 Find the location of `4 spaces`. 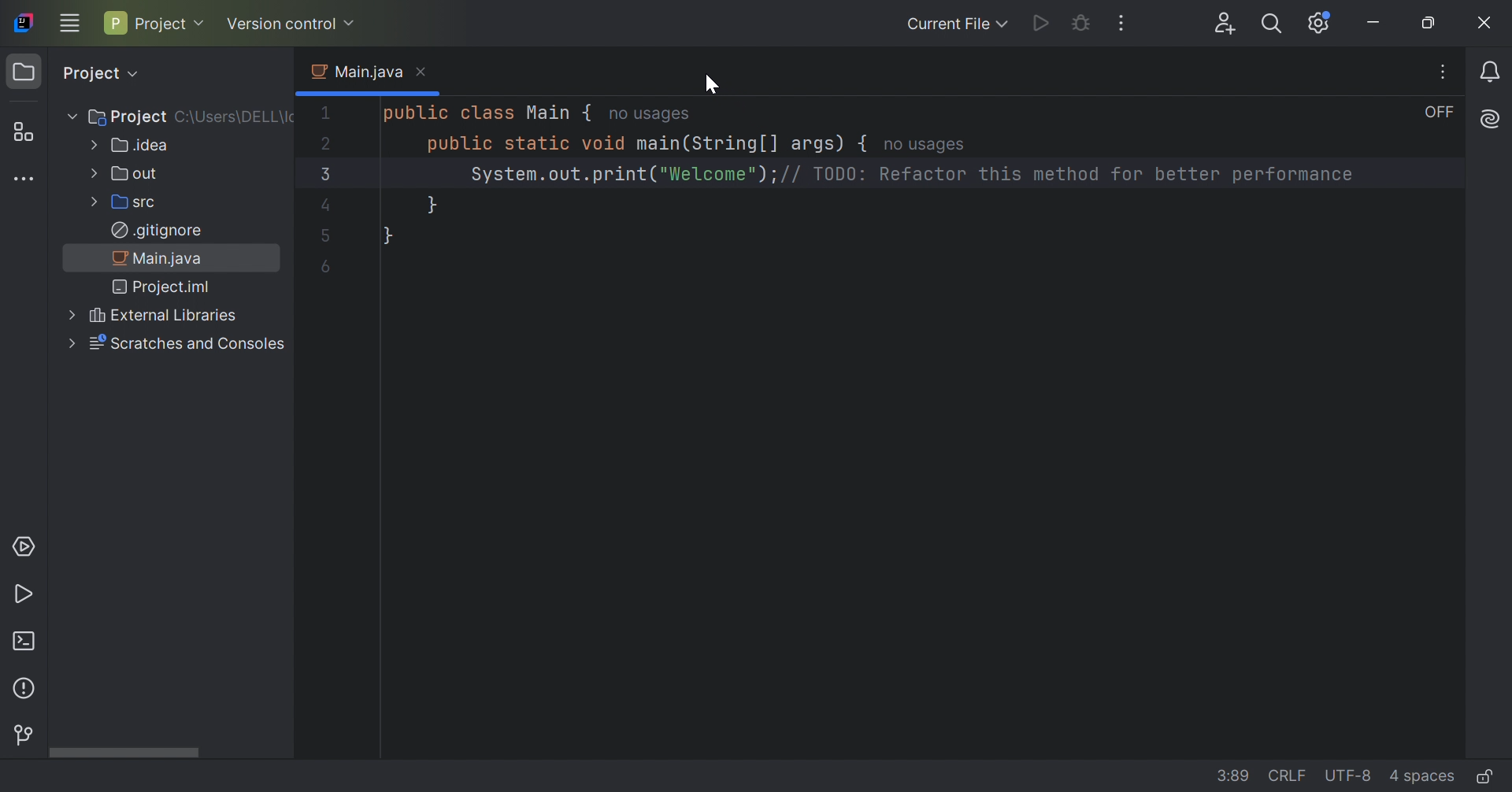

4 spaces is located at coordinates (1421, 779).